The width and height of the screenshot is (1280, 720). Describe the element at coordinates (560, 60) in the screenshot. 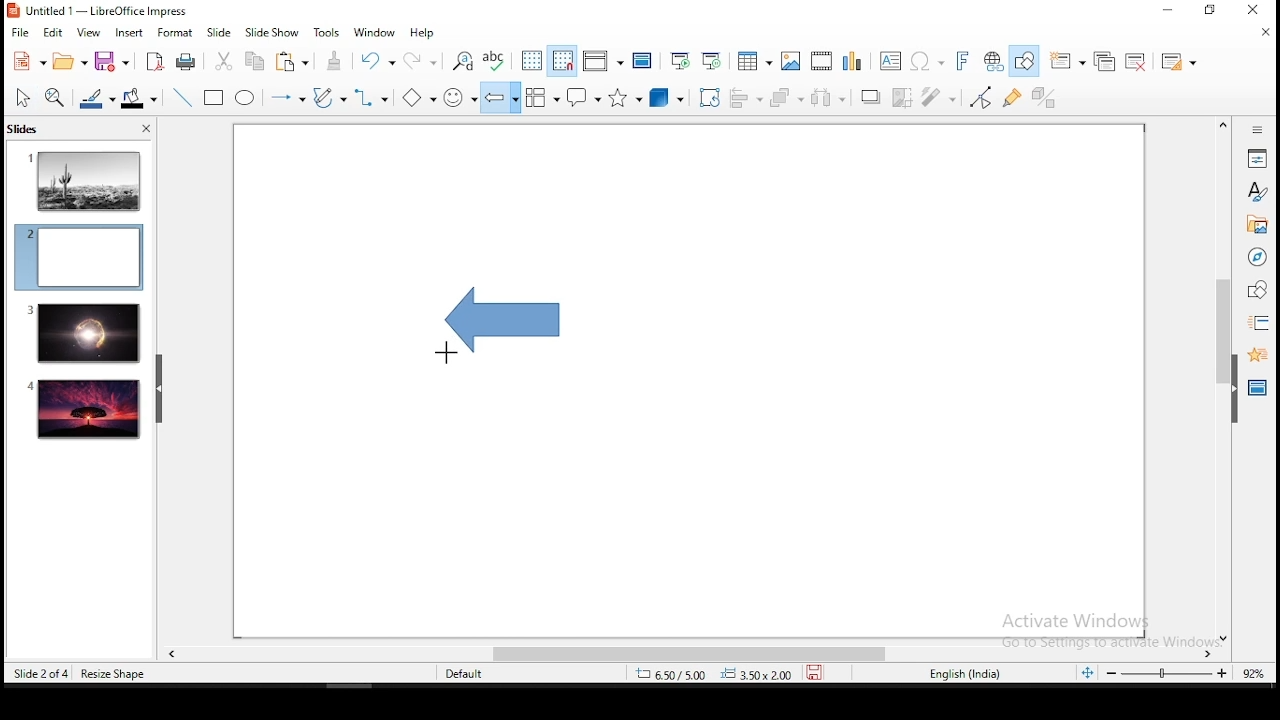

I see `snap to grid` at that location.